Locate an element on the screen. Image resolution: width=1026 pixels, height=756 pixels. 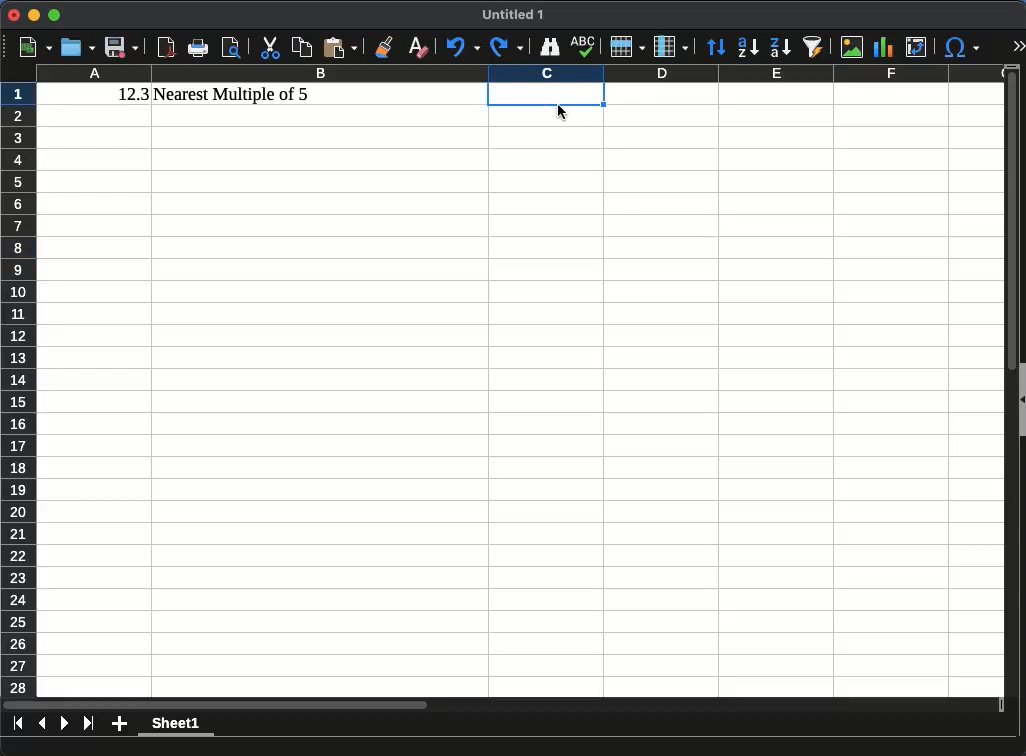
chart is located at coordinates (882, 47).